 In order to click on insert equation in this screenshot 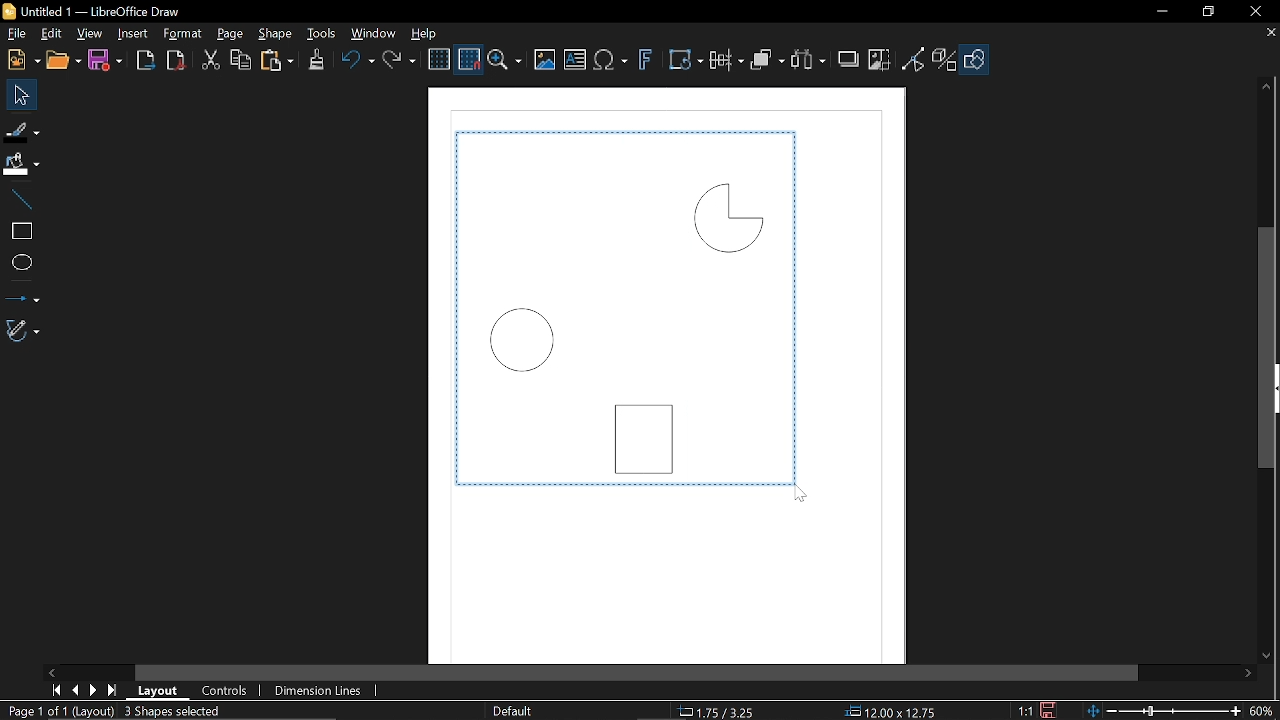, I will do `click(613, 62)`.